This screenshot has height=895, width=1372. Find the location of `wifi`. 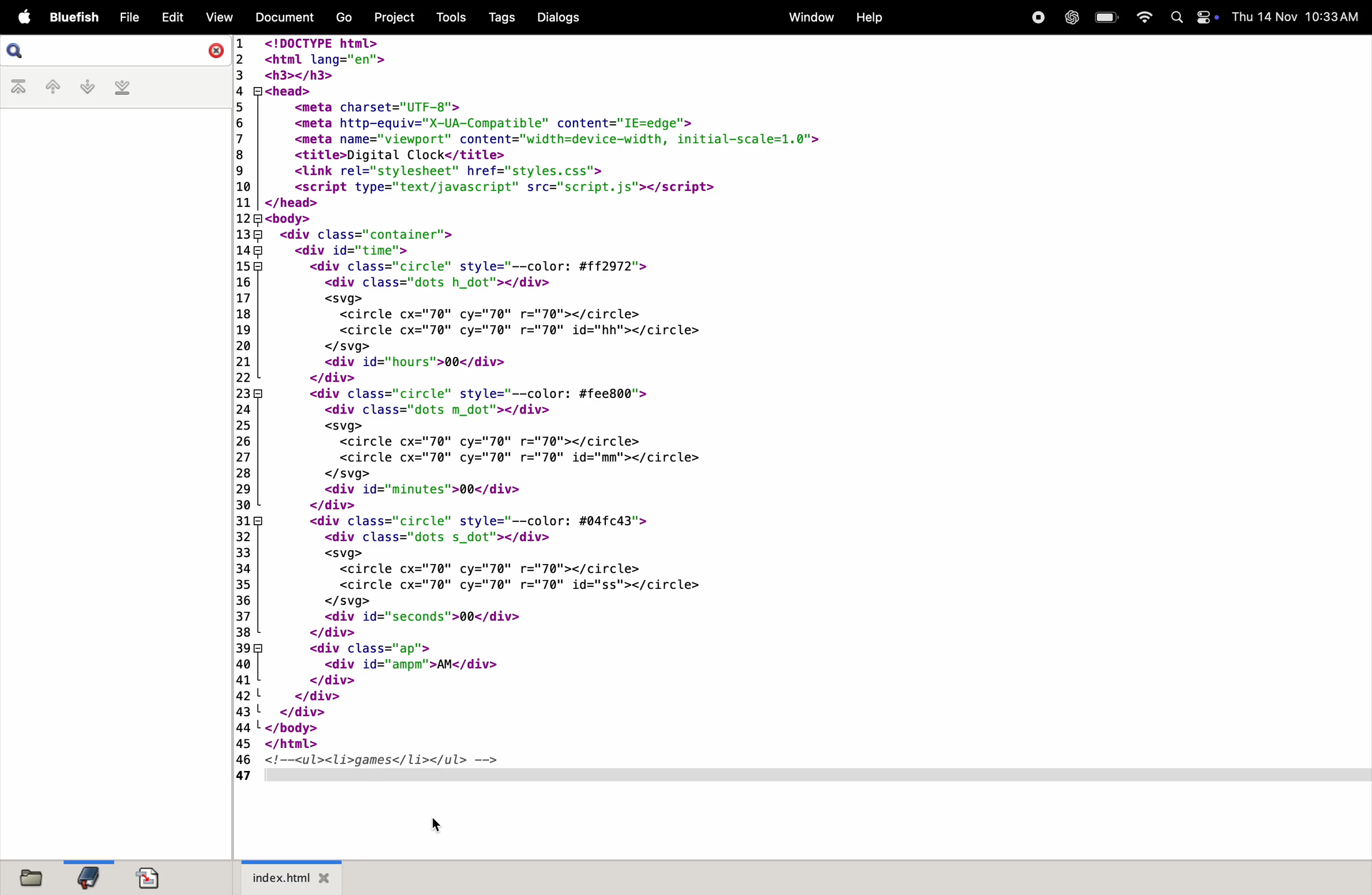

wifi is located at coordinates (1143, 16).